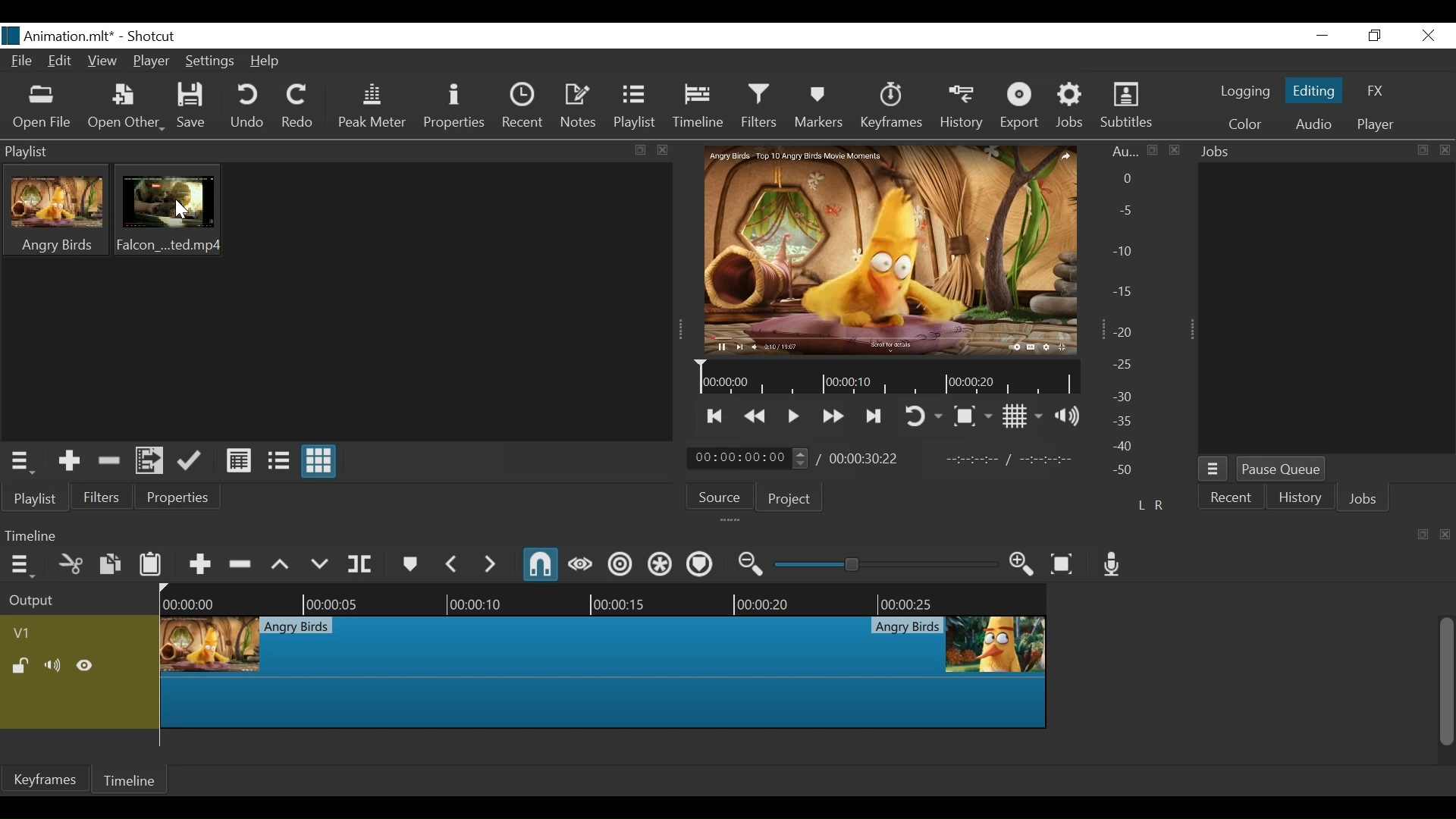  What do you see at coordinates (579, 106) in the screenshot?
I see `Notes` at bounding box center [579, 106].